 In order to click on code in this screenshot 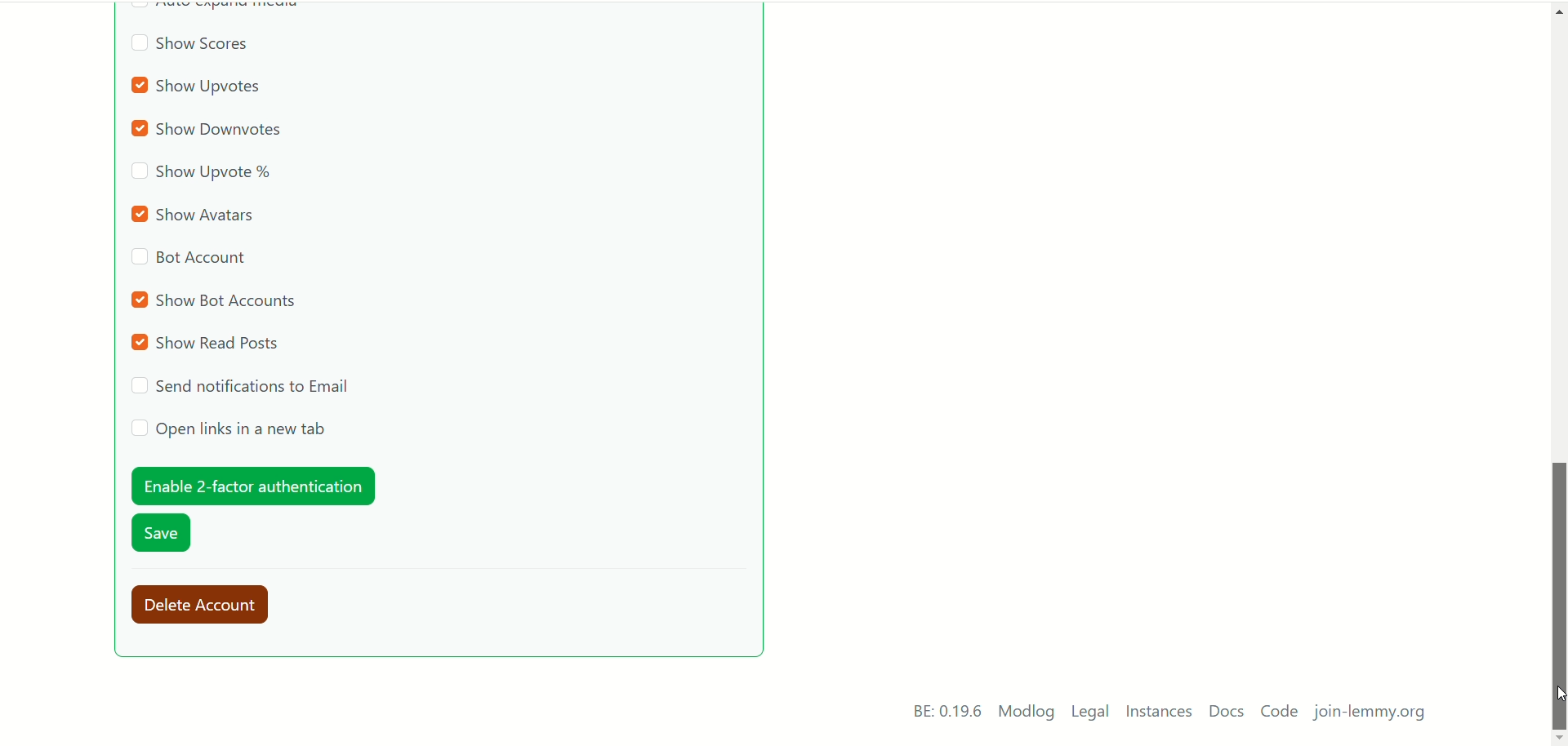, I will do `click(1280, 713)`.